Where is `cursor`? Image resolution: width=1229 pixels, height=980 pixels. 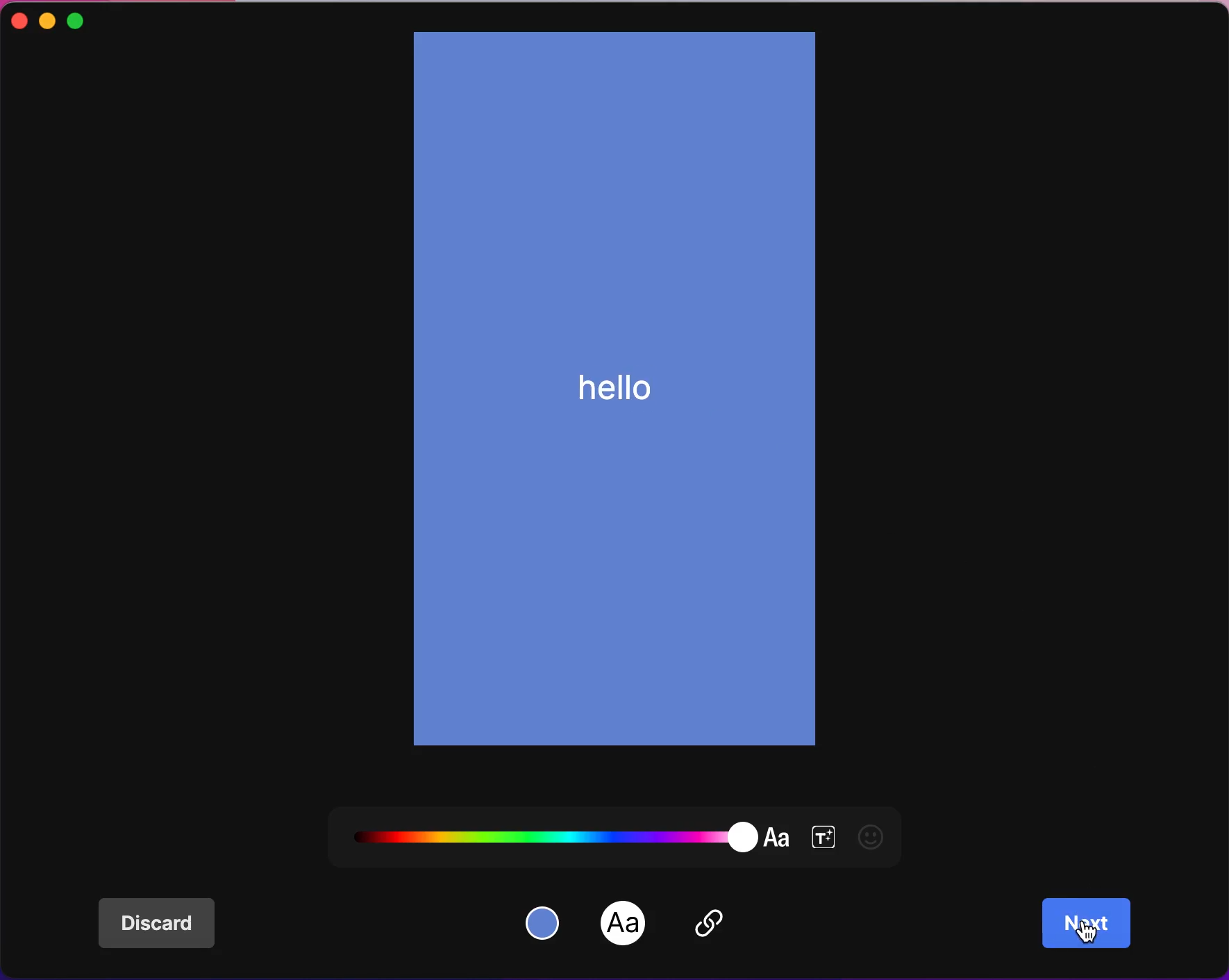 cursor is located at coordinates (1085, 933).